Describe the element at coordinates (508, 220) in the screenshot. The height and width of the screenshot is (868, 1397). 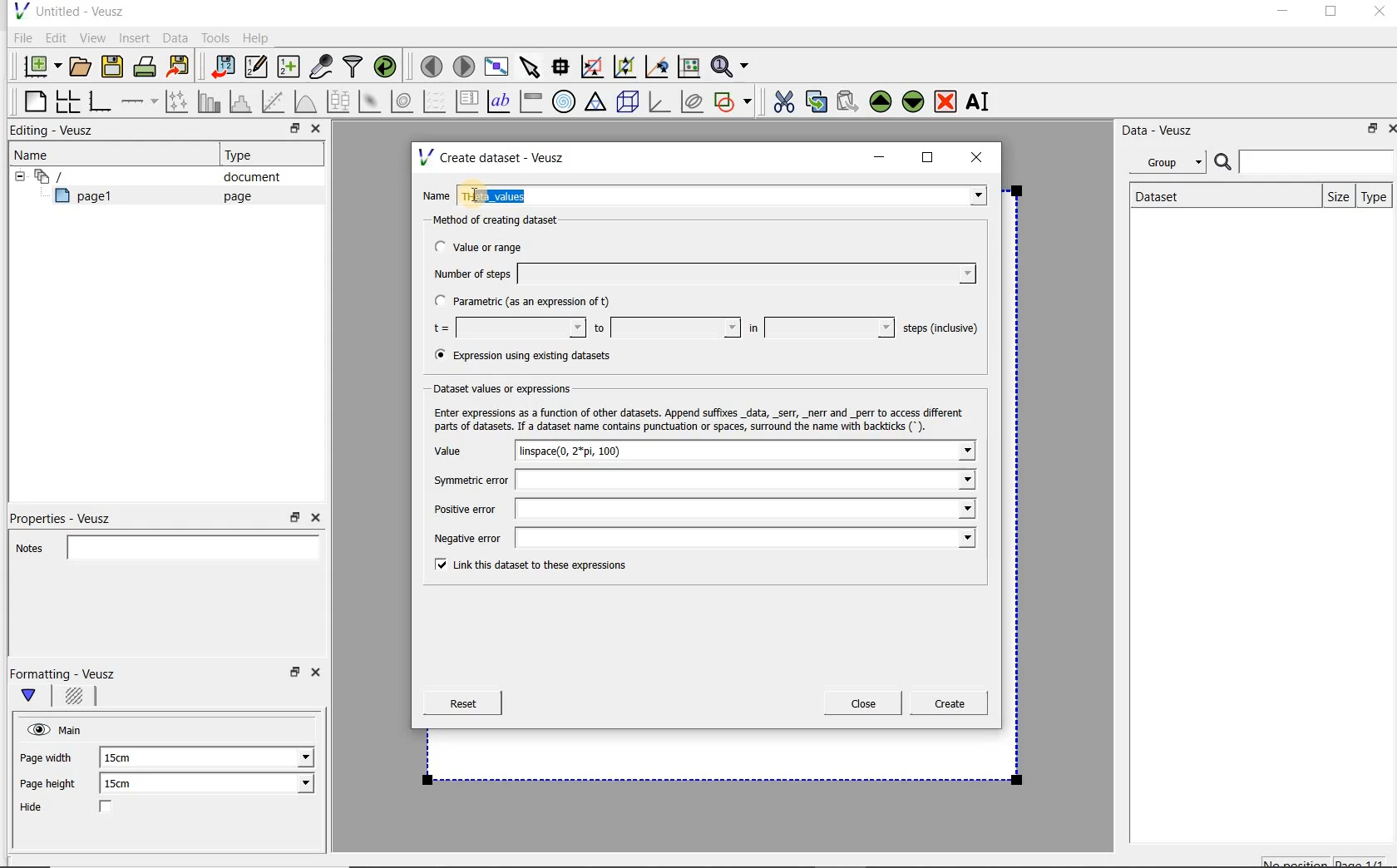
I see `Method of creating dataset:` at that location.